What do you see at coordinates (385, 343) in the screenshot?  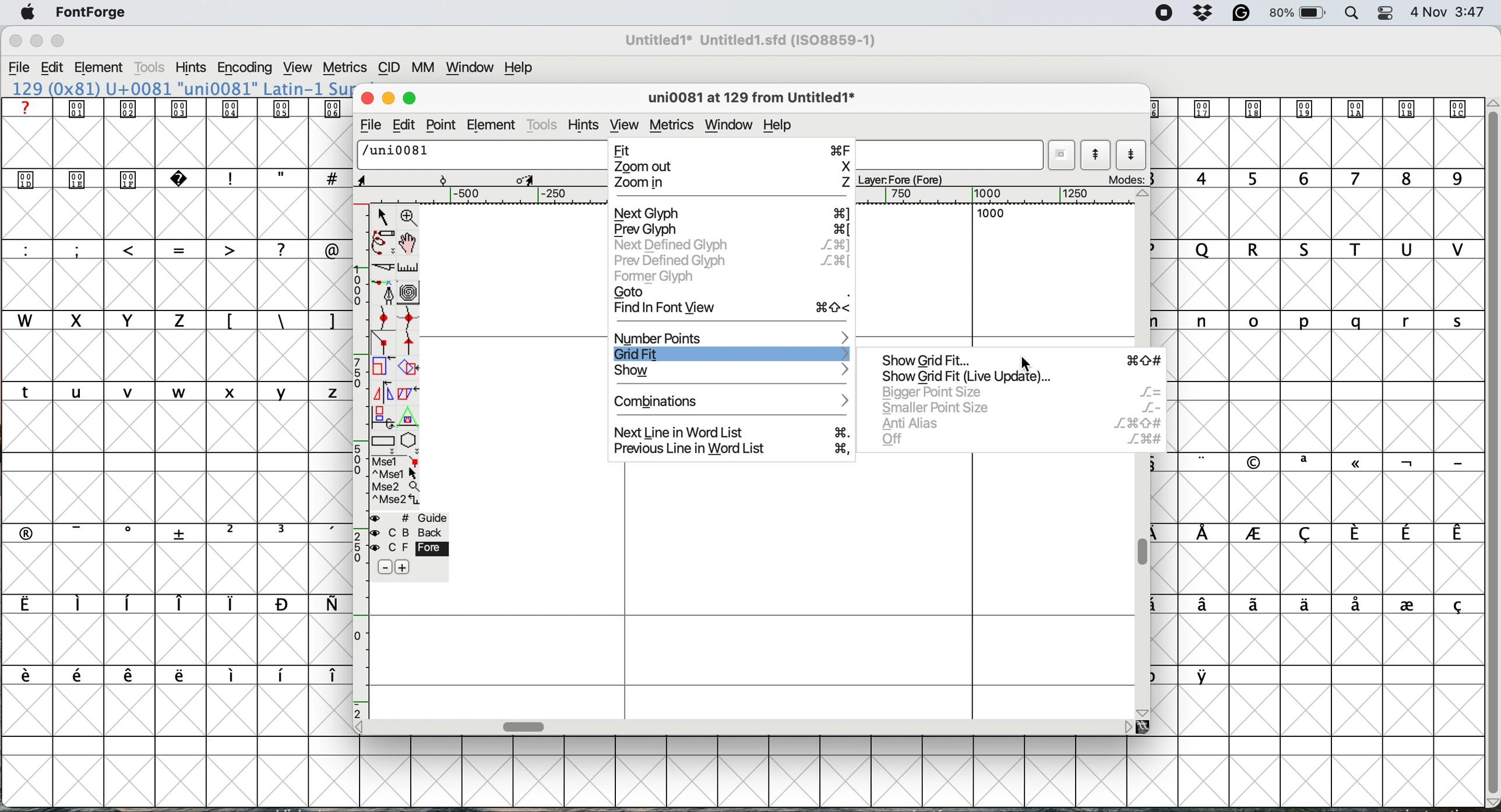 I see `connector point` at bounding box center [385, 343].